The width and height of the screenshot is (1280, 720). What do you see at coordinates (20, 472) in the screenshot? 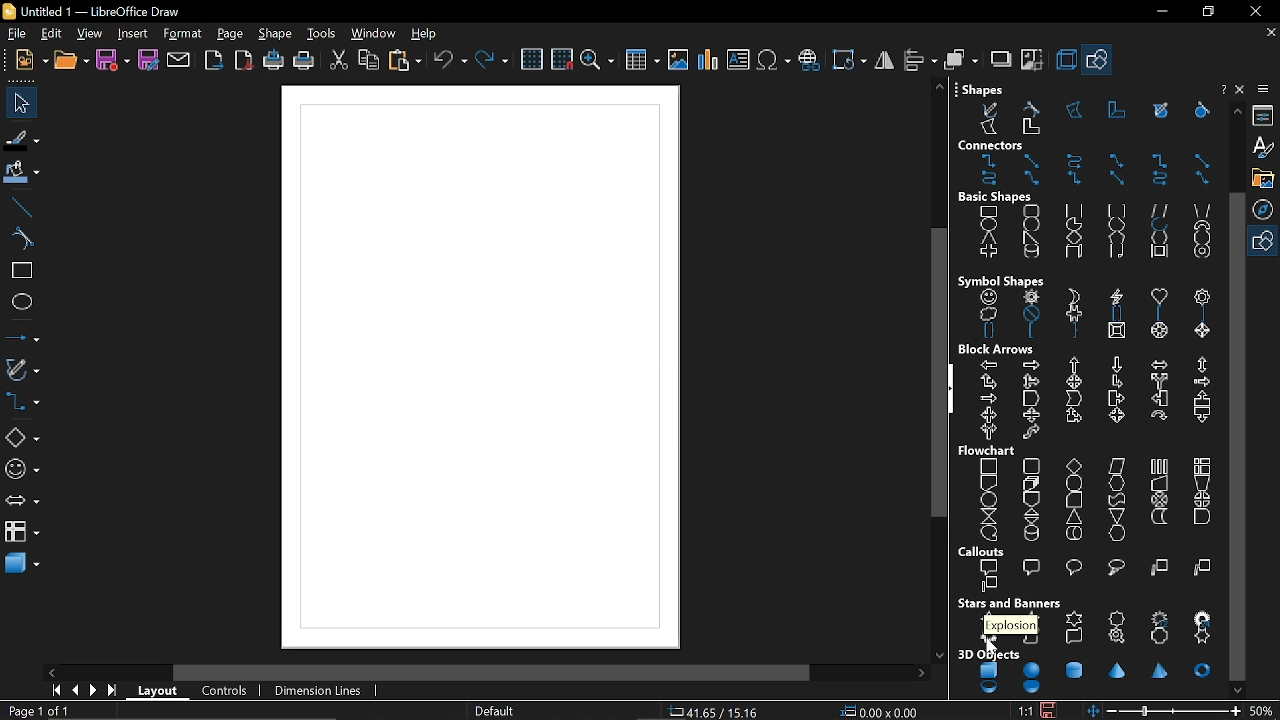
I see `symbol shapes` at bounding box center [20, 472].